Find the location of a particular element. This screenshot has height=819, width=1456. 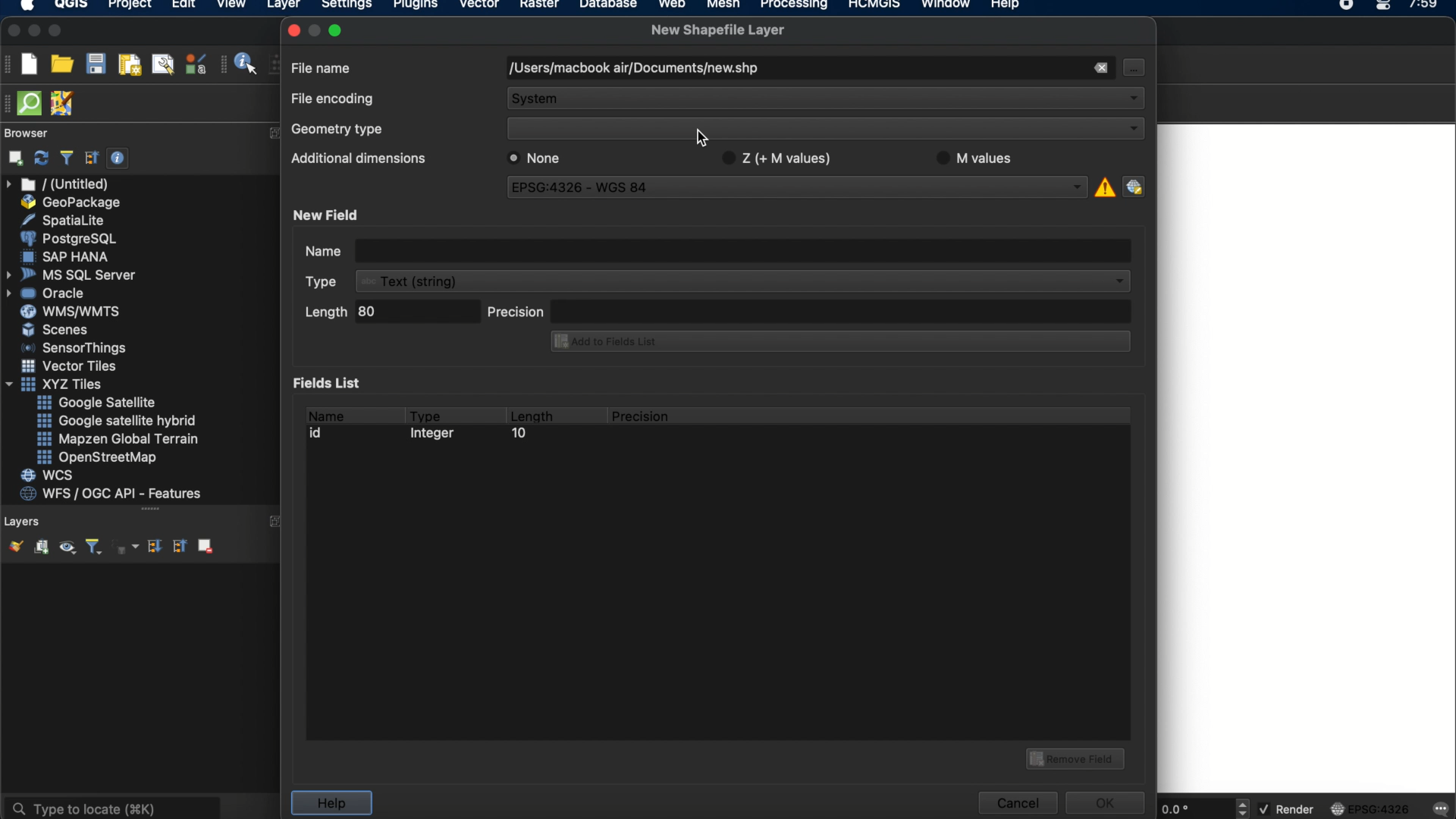

new project is located at coordinates (29, 64).